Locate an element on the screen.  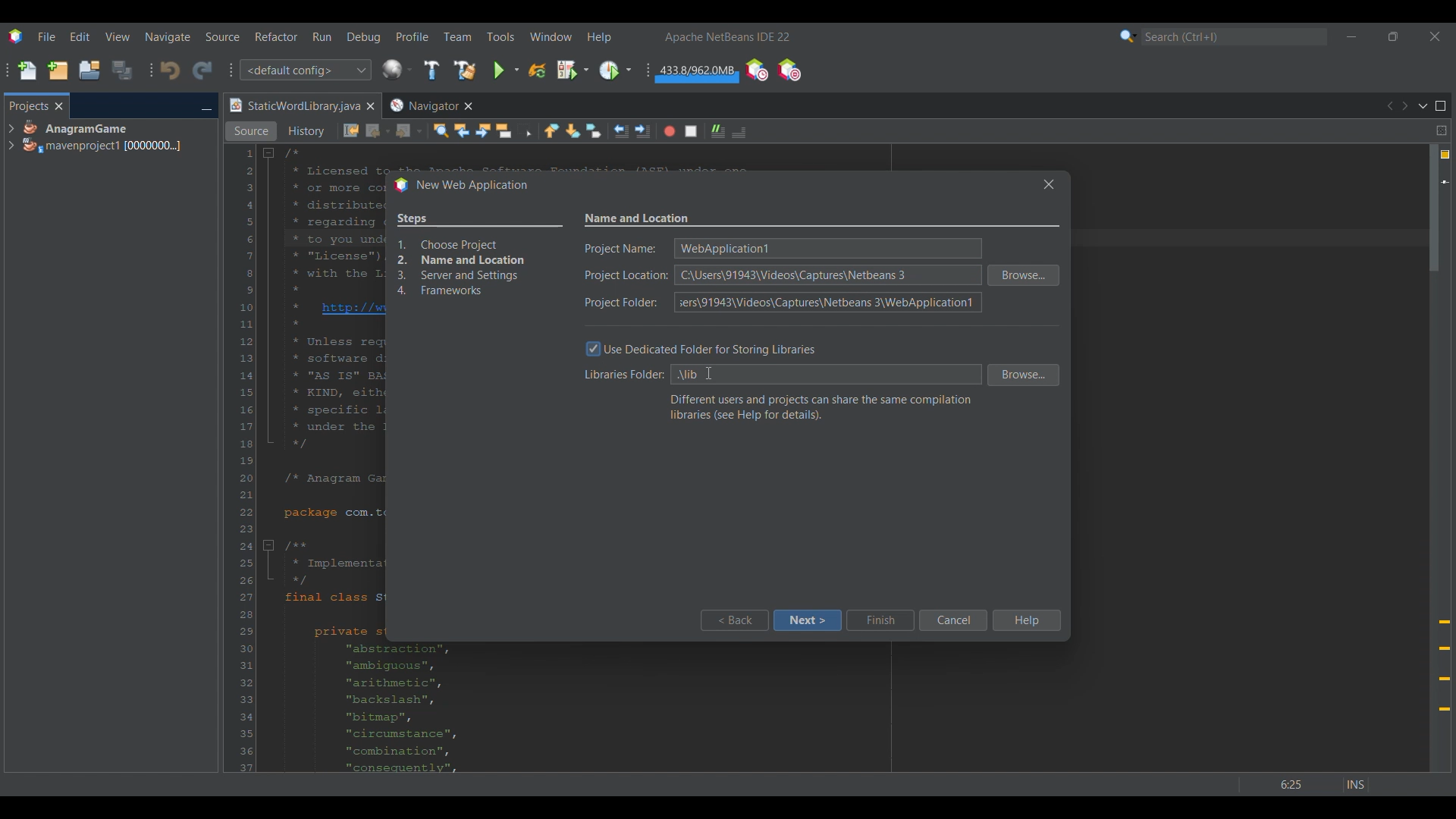
 is located at coordinates (1045, 184).